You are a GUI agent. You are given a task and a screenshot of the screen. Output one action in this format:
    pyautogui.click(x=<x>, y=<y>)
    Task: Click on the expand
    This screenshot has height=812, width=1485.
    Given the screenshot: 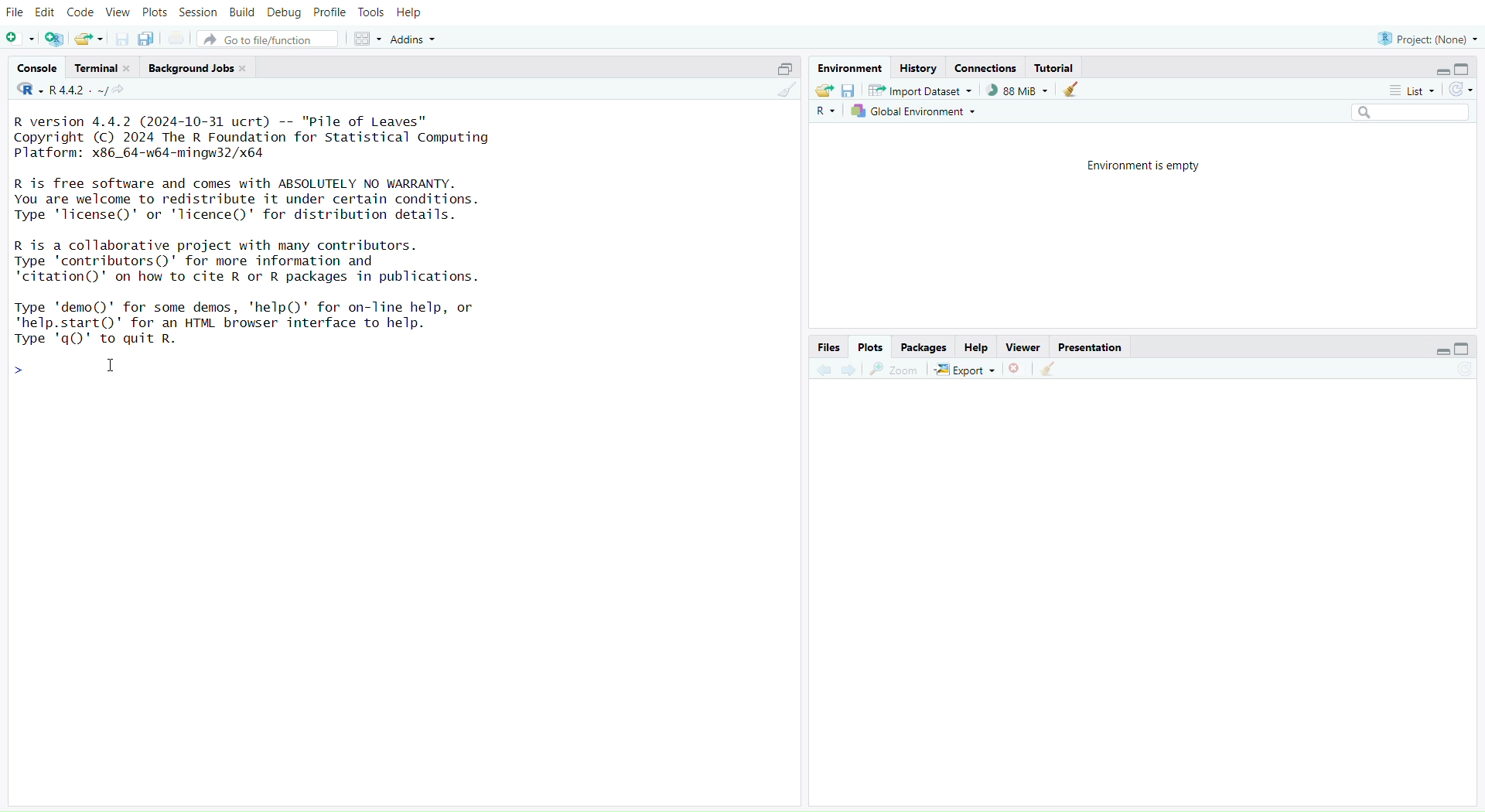 What is the action you would take?
    pyautogui.click(x=1439, y=70)
    